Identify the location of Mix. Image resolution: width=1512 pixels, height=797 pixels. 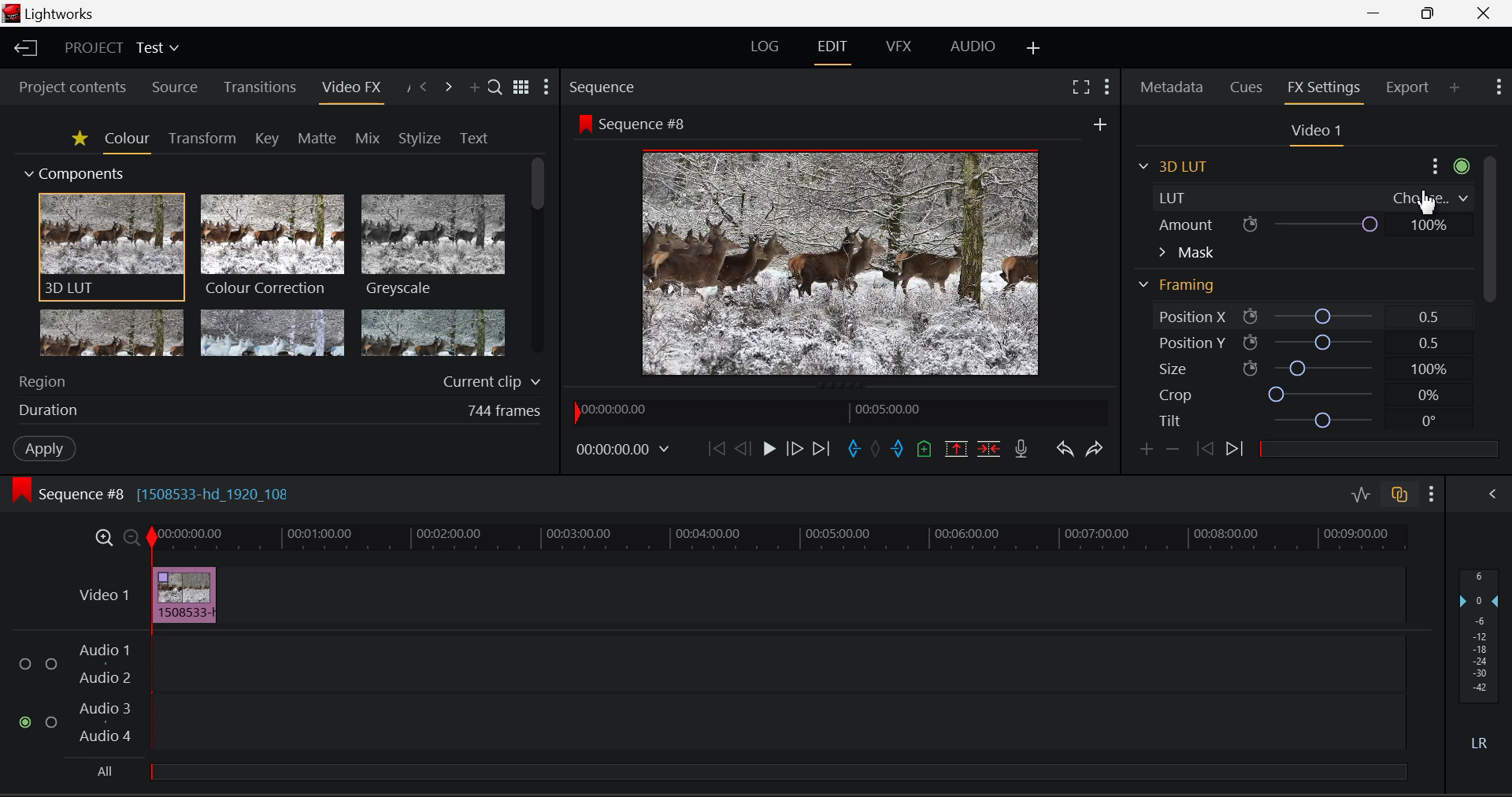
(369, 135).